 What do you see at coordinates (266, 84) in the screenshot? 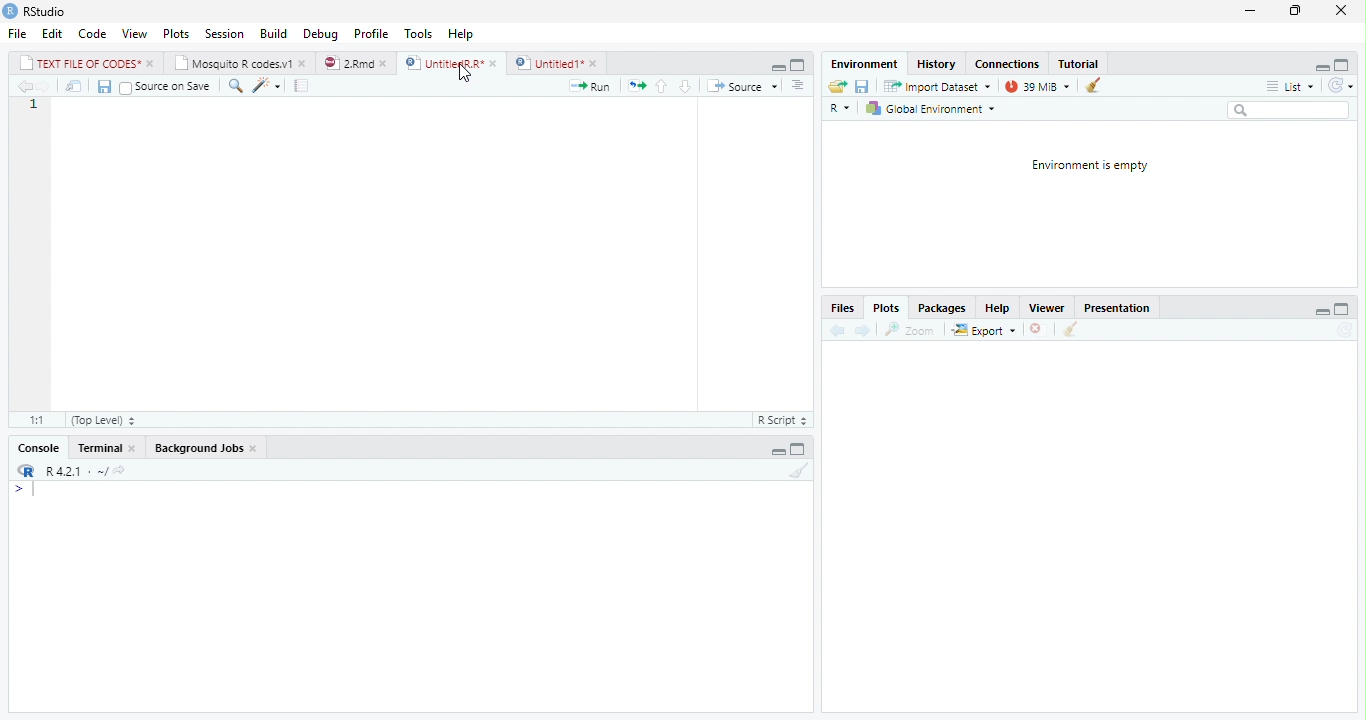
I see `Coding Tools` at bounding box center [266, 84].